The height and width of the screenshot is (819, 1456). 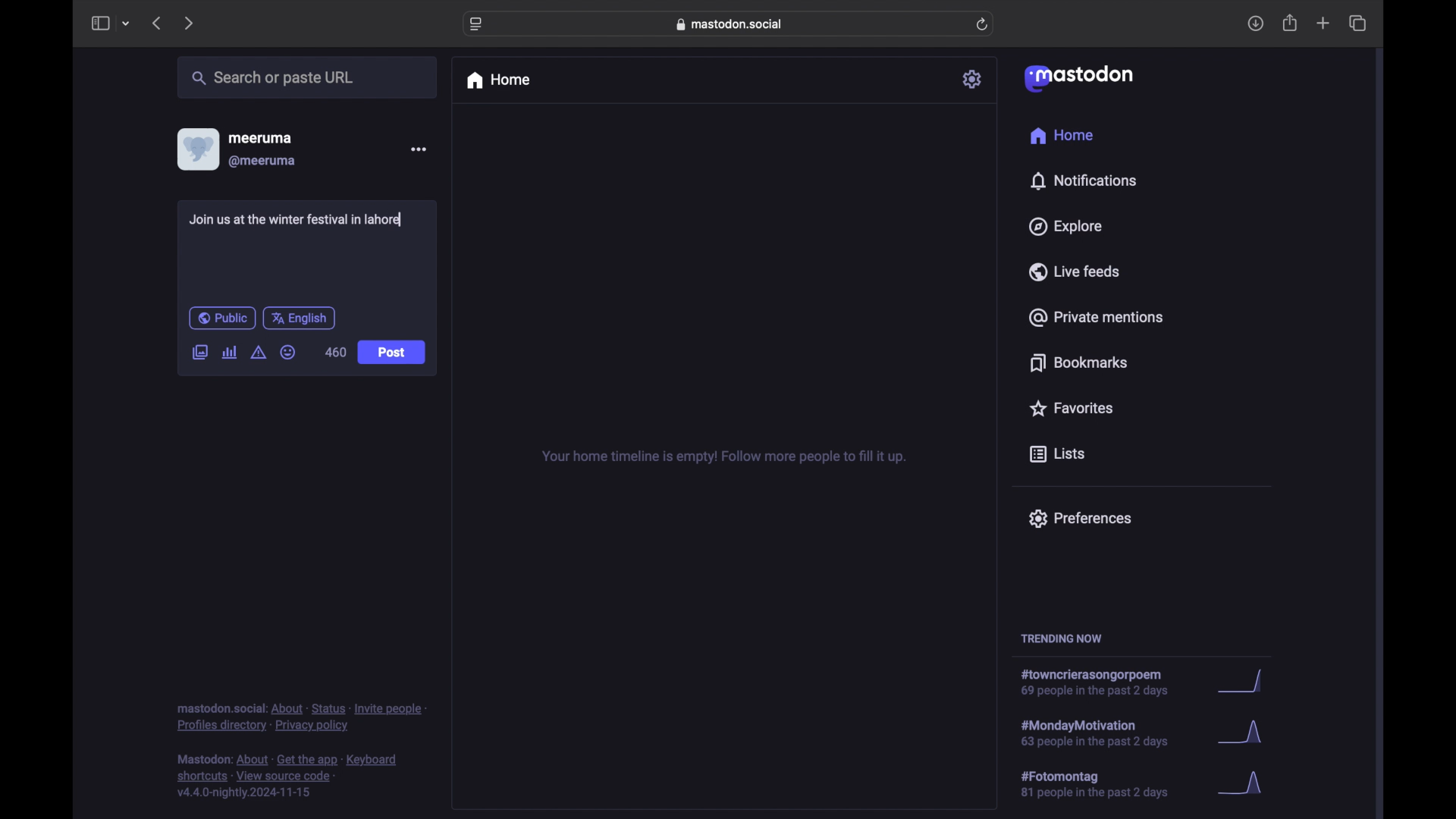 I want to click on trending now, so click(x=1061, y=639).